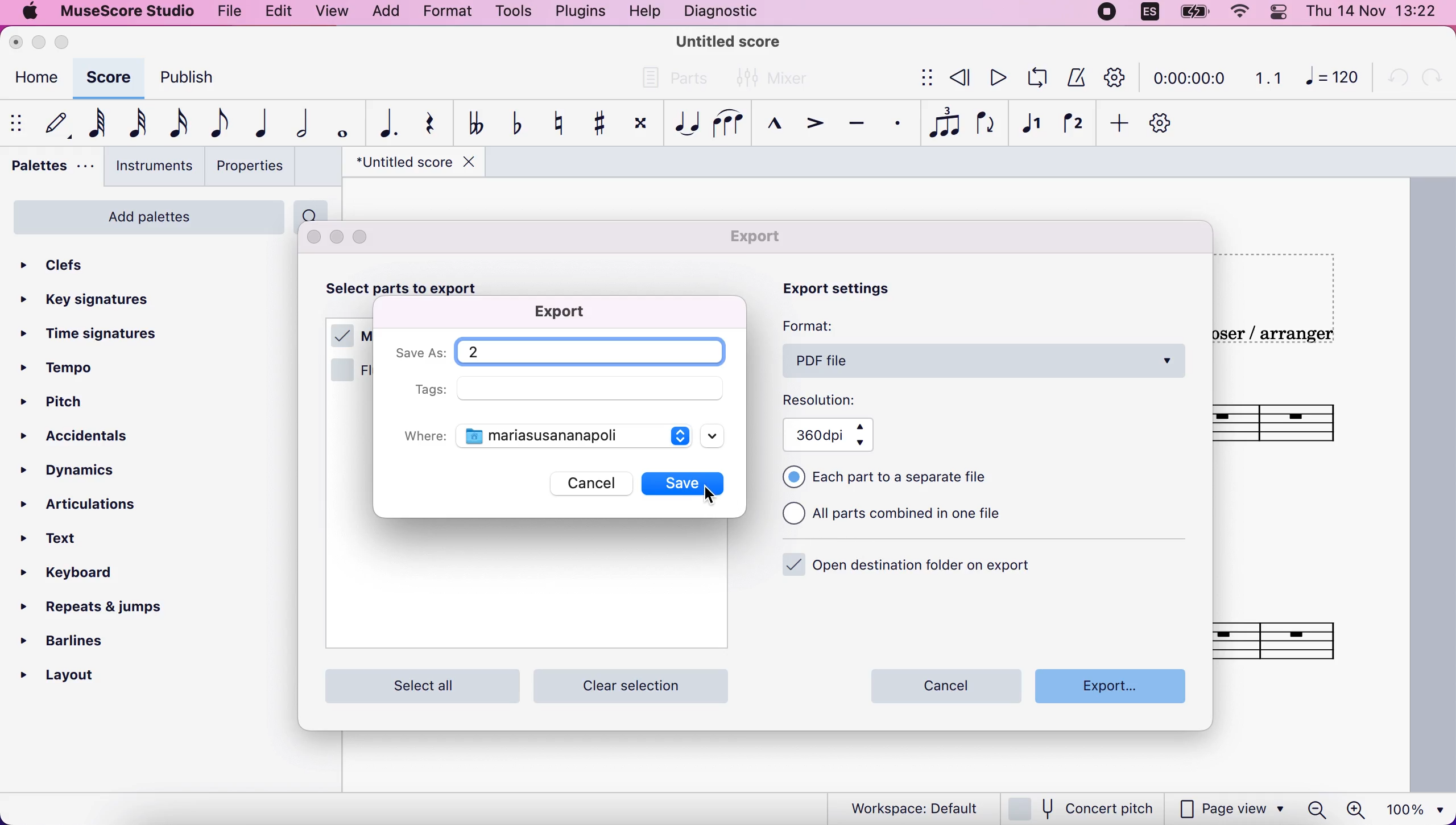 This screenshot has height=825, width=1456. I want to click on parts, so click(677, 81).